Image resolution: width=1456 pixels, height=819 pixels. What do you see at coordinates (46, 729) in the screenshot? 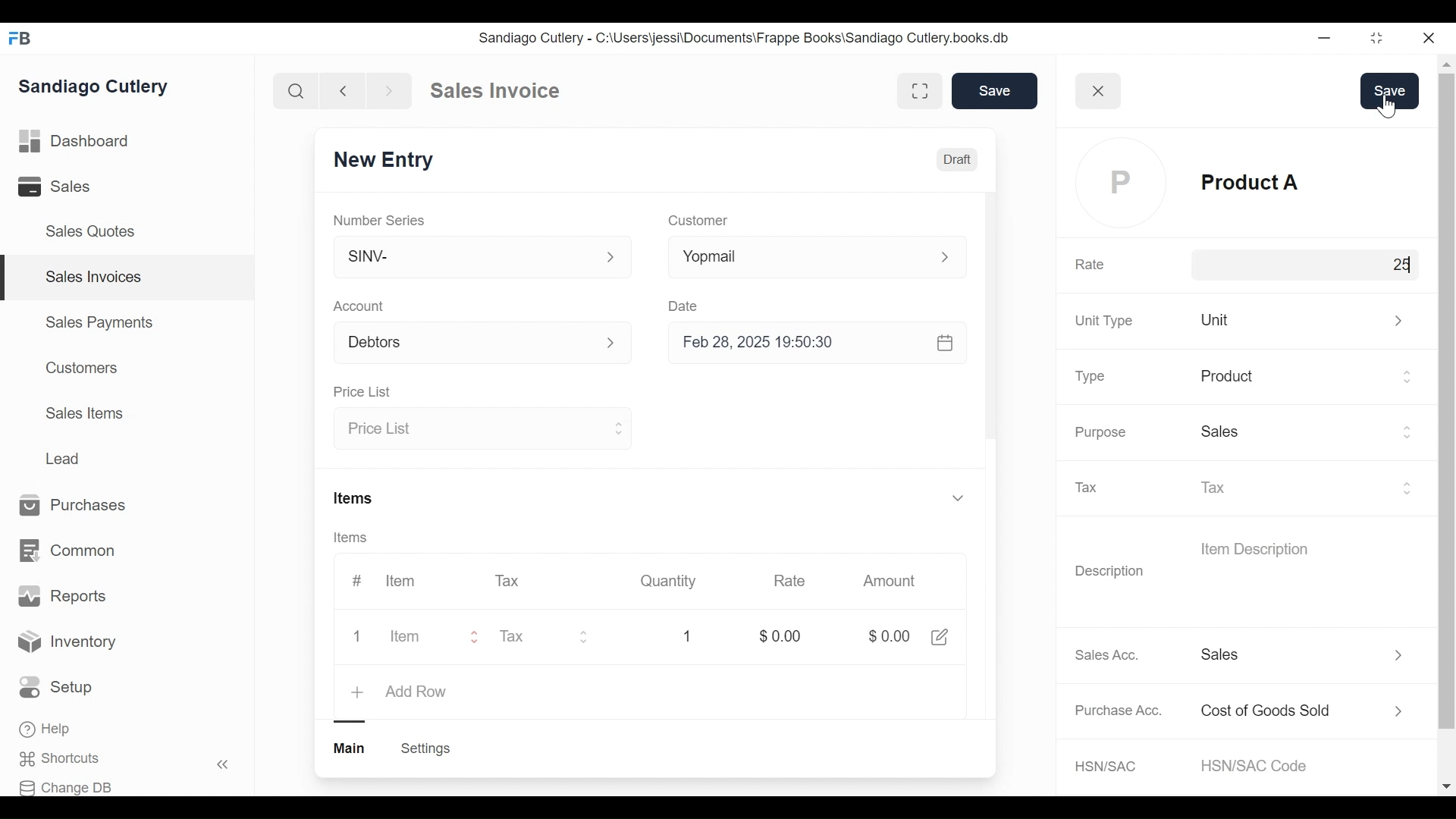
I see `Help` at bounding box center [46, 729].